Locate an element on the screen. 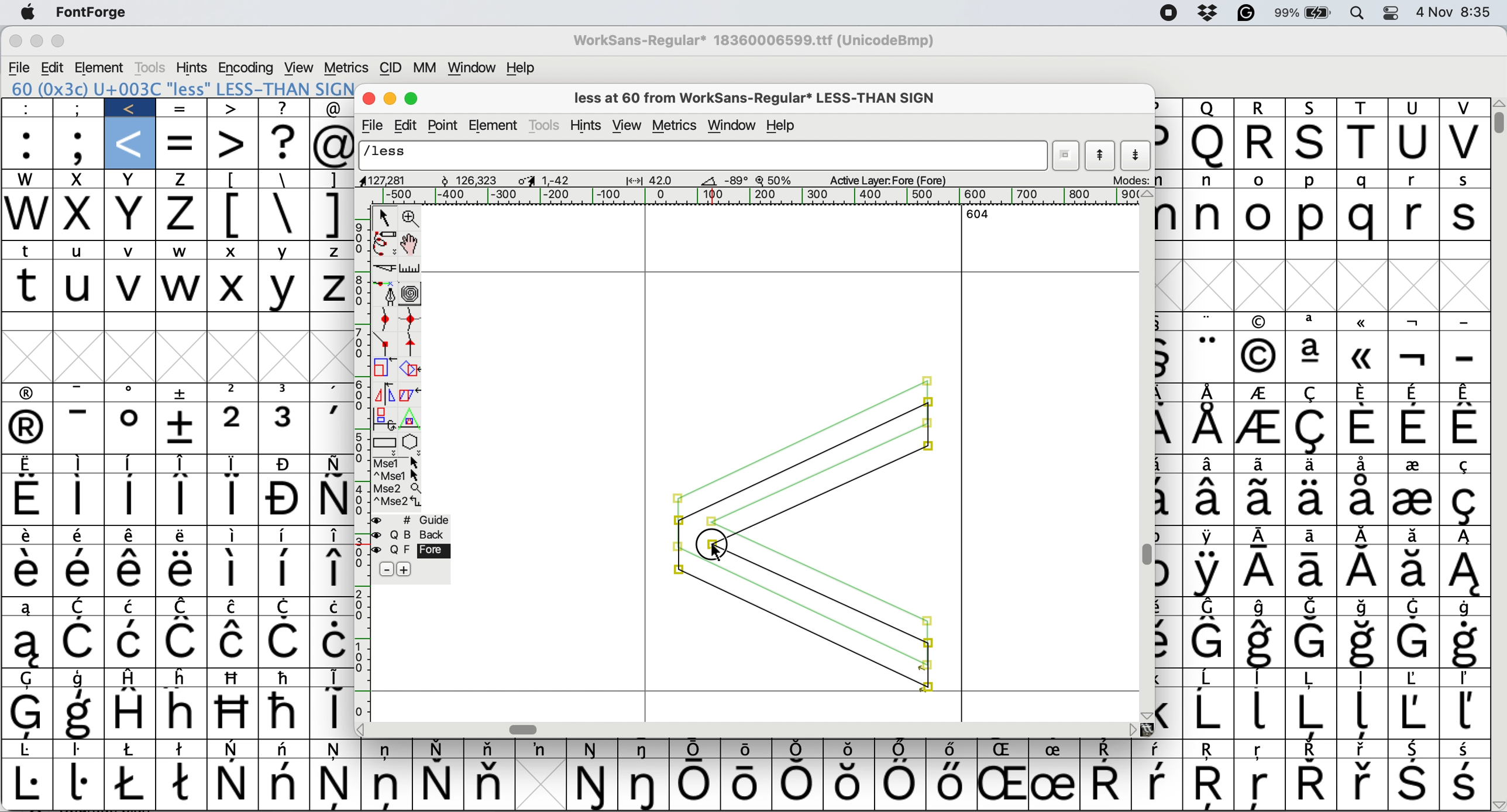  Symbol is located at coordinates (1414, 394).